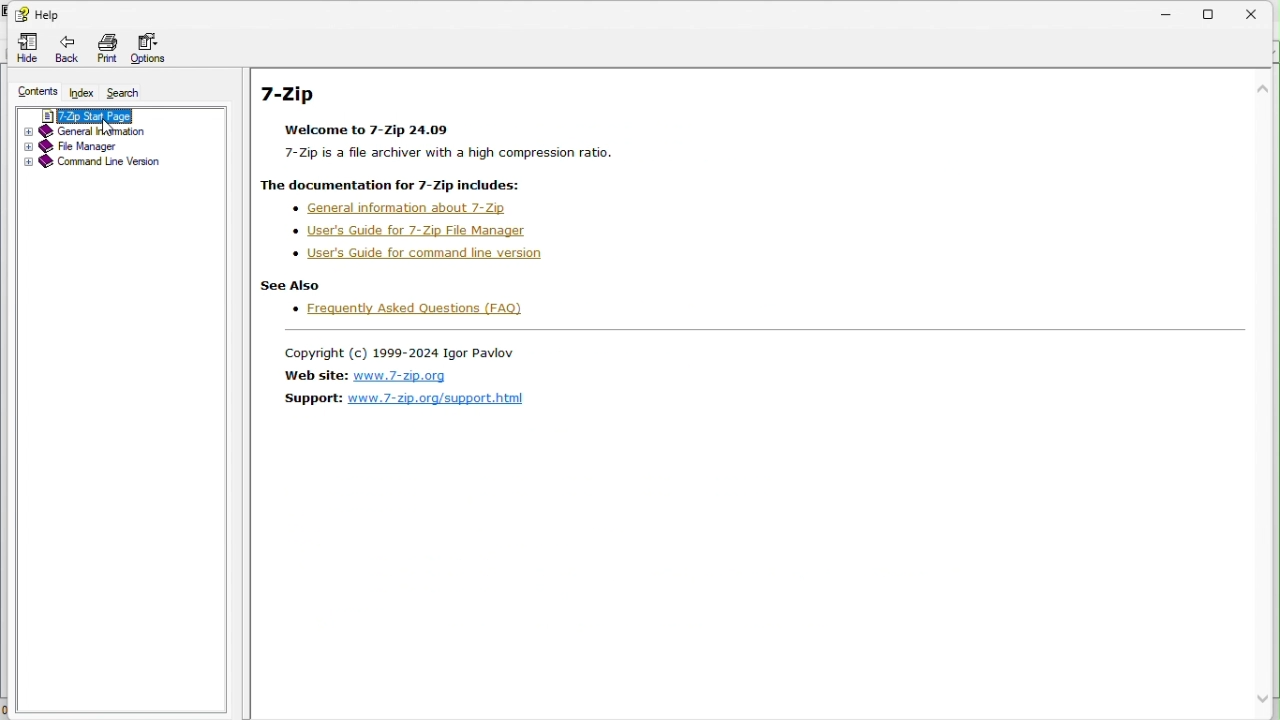 The height and width of the screenshot is (720, 1280). What do you see at coordinates (102, 47) in the screenshot?
I see `Print` at bounding box center [102, 47].